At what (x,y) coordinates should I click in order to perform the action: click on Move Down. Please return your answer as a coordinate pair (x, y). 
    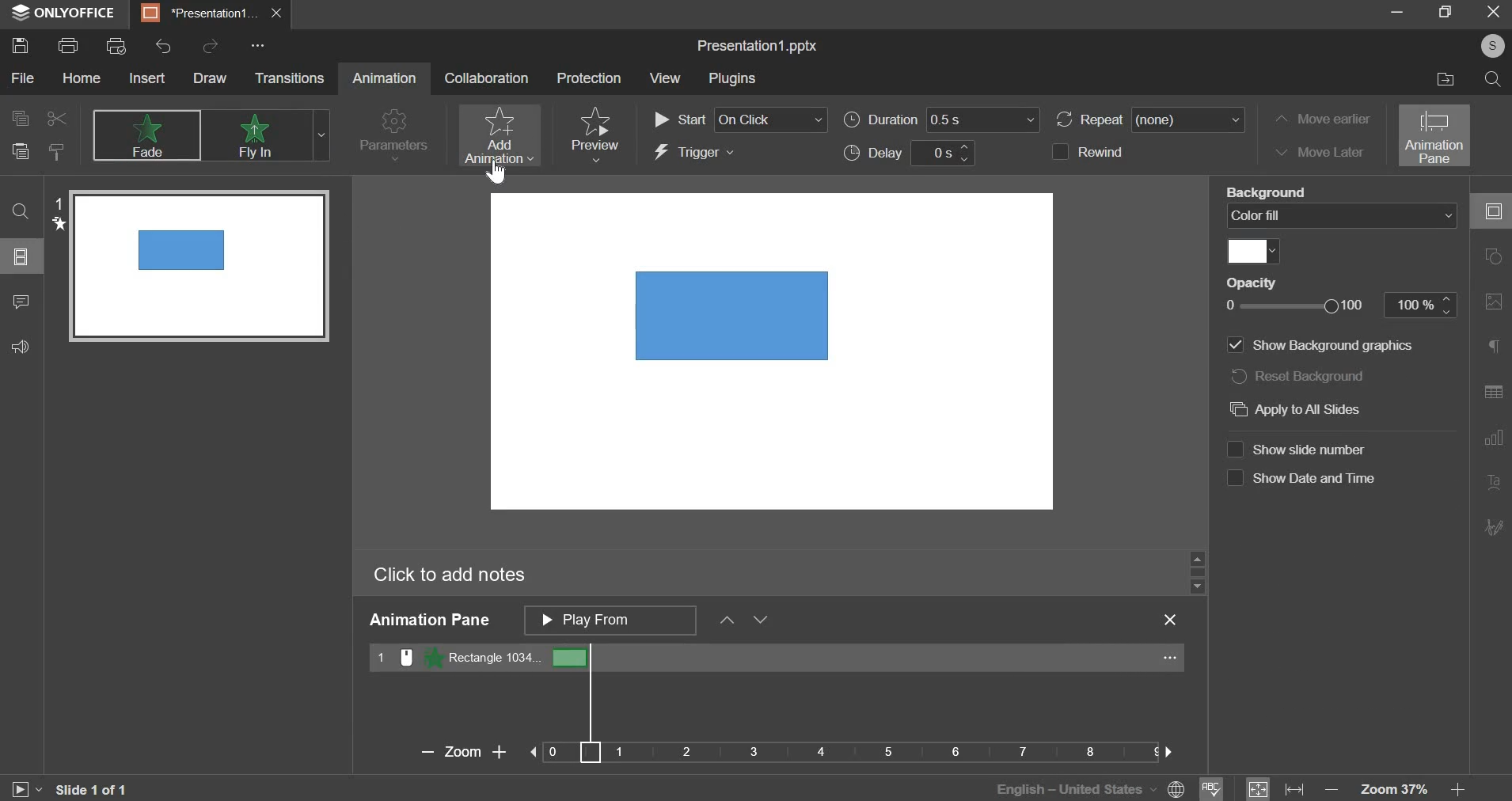
    Looking at the image, I should click on (770, 620).